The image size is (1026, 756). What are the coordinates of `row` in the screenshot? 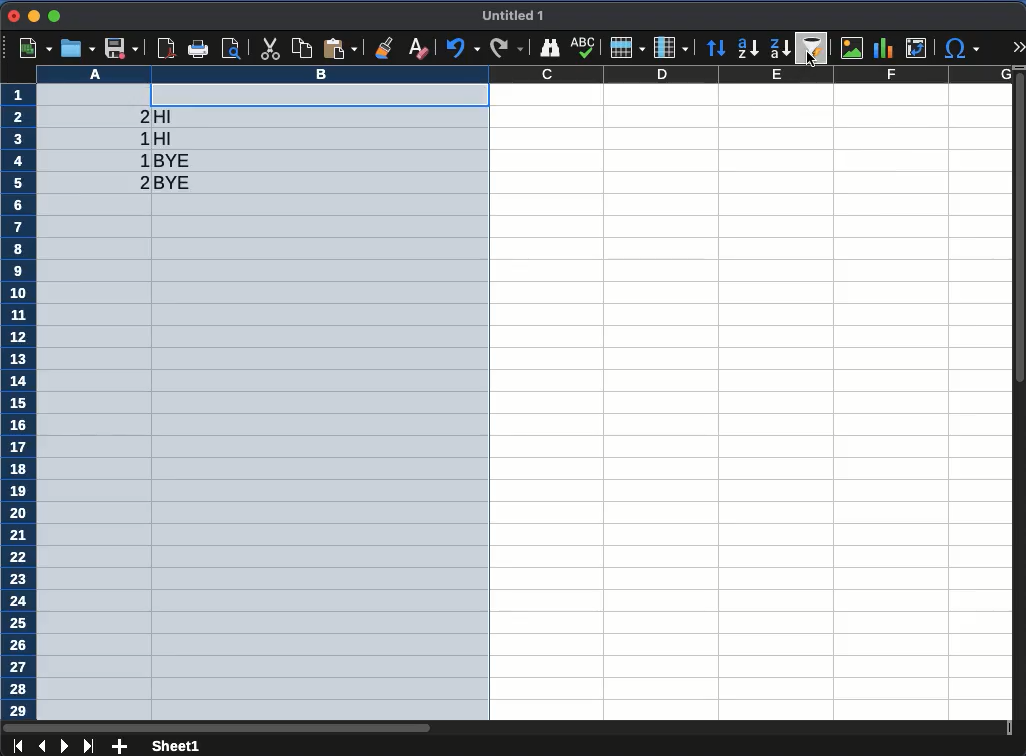 It's located at (624, 48).